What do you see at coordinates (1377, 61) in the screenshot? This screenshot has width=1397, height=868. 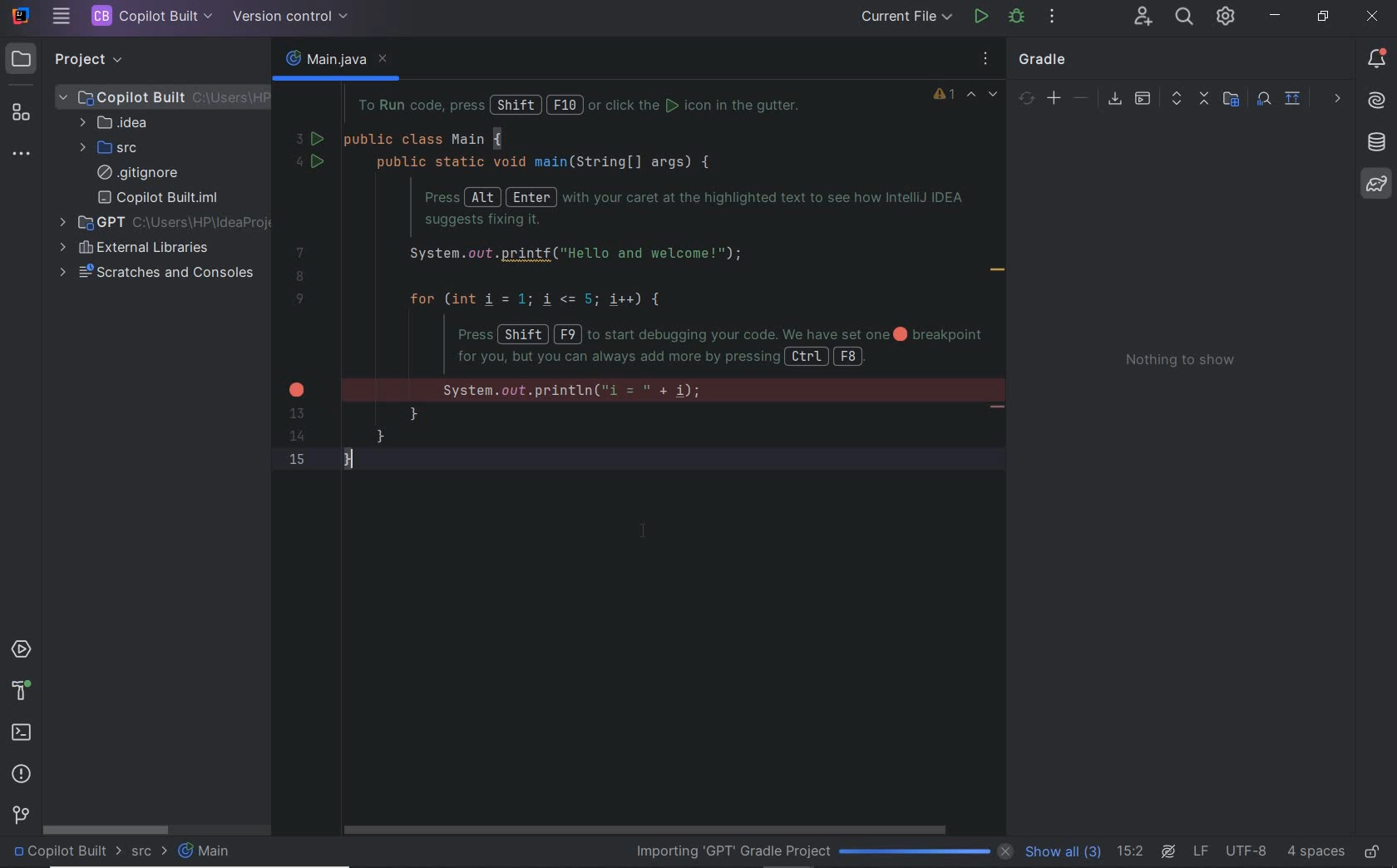 I see `notifications` at bounding box center [1377, 61].